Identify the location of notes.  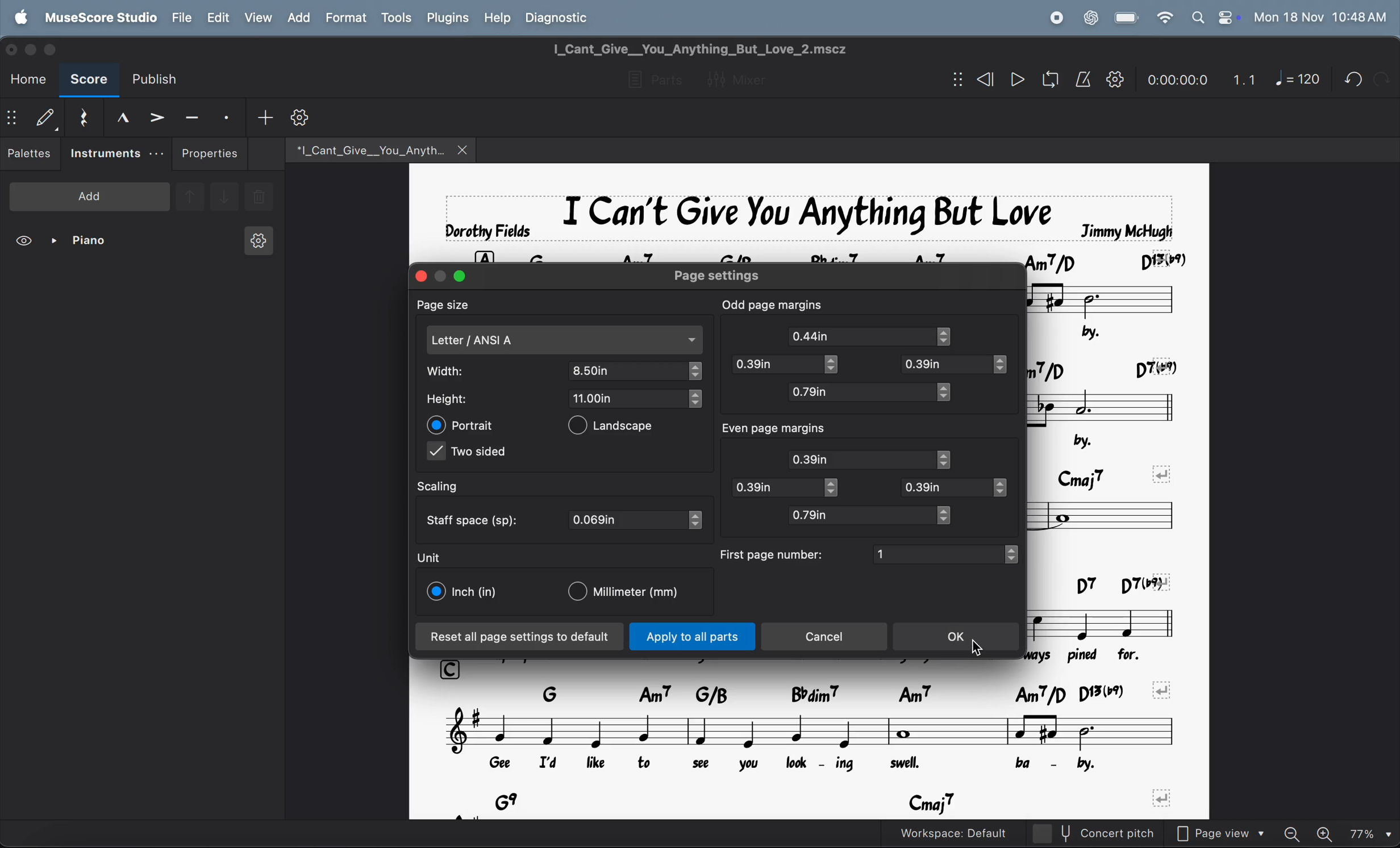
(1106, 404).